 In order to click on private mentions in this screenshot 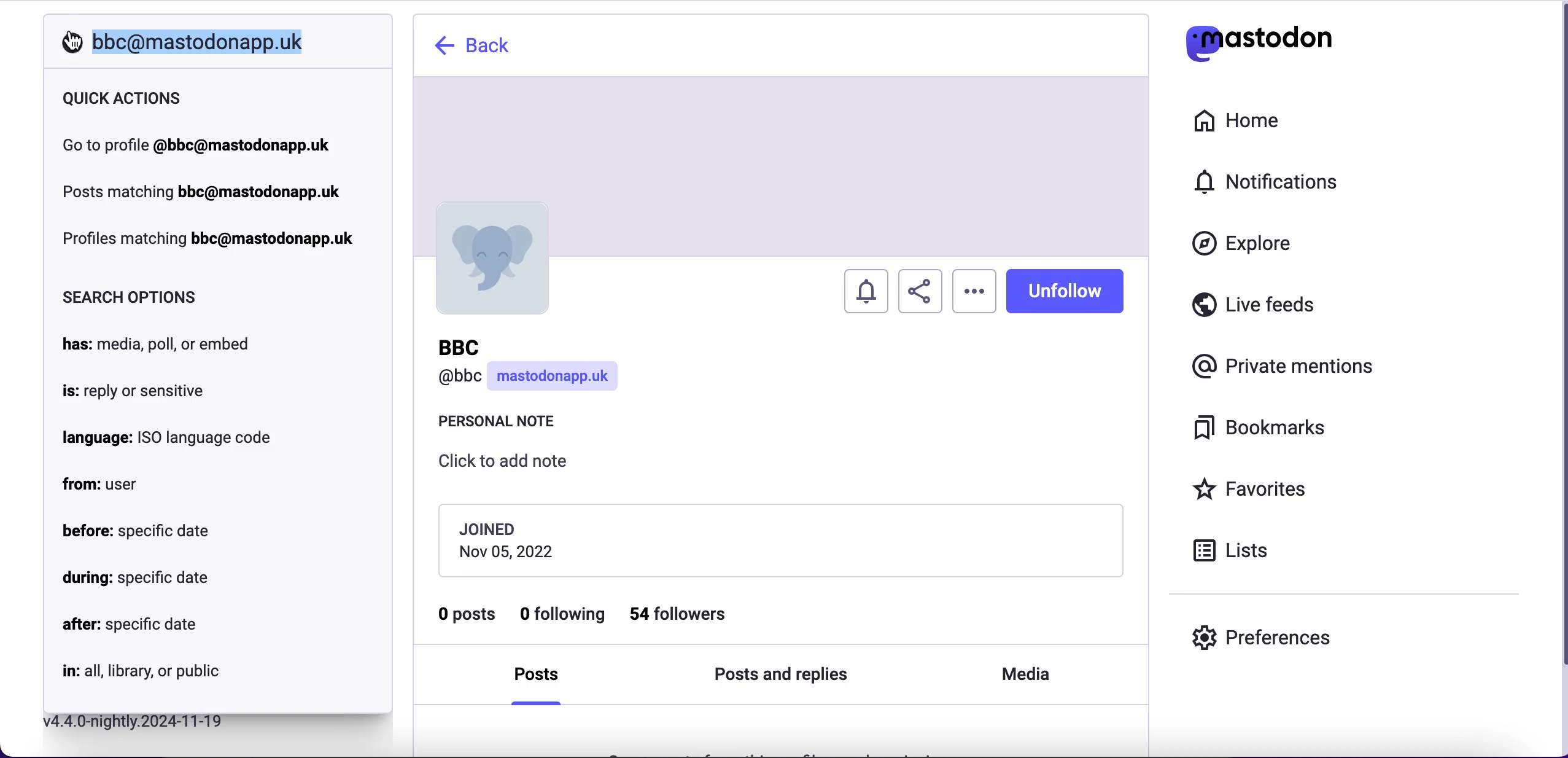, I will do `click(1287, 363)`.